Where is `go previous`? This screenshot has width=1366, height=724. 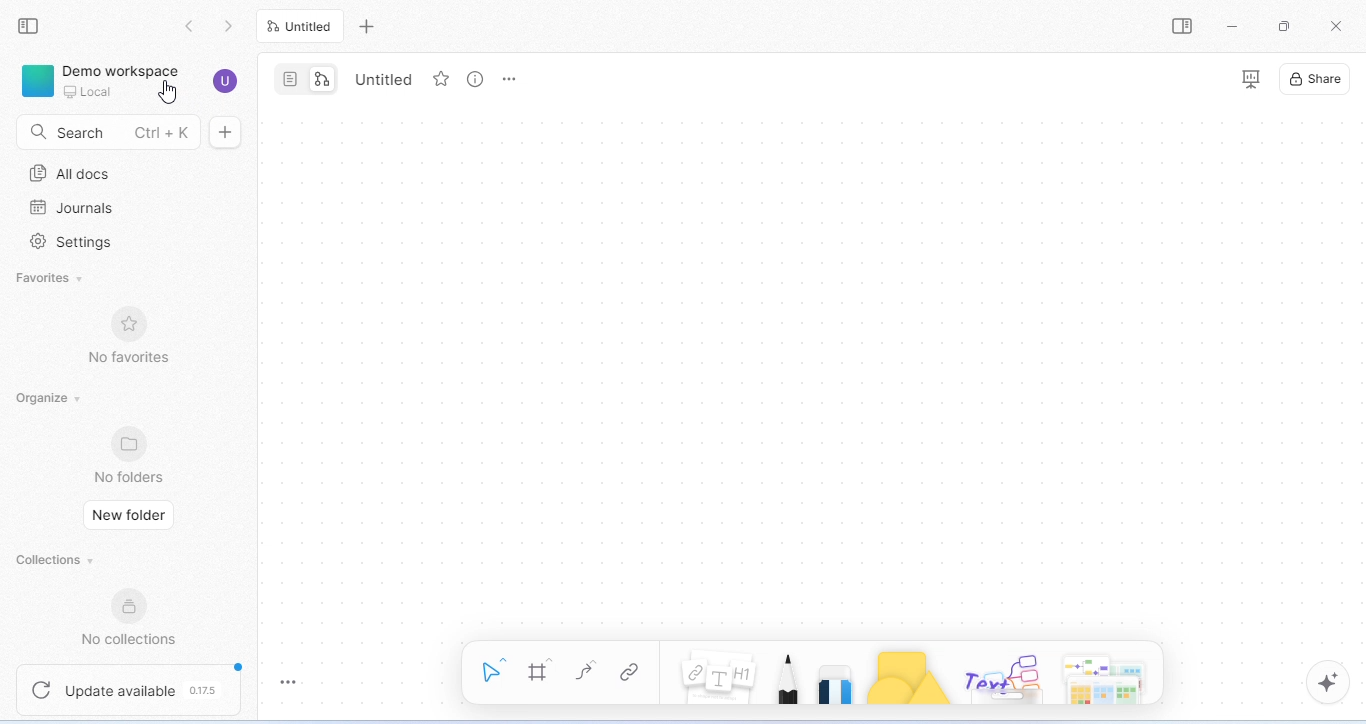
go previous is located at coordinates (232, 26).